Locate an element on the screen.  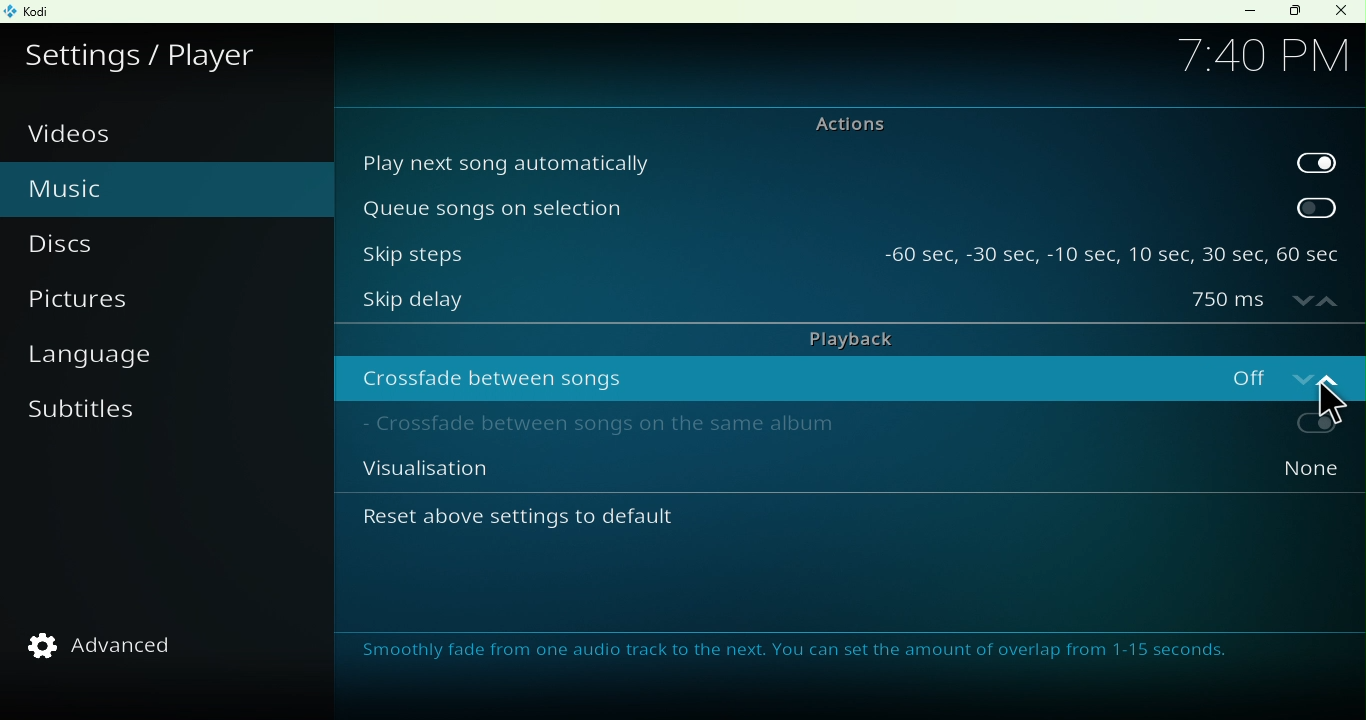
Minimize is located at coordinates (1245, 11).